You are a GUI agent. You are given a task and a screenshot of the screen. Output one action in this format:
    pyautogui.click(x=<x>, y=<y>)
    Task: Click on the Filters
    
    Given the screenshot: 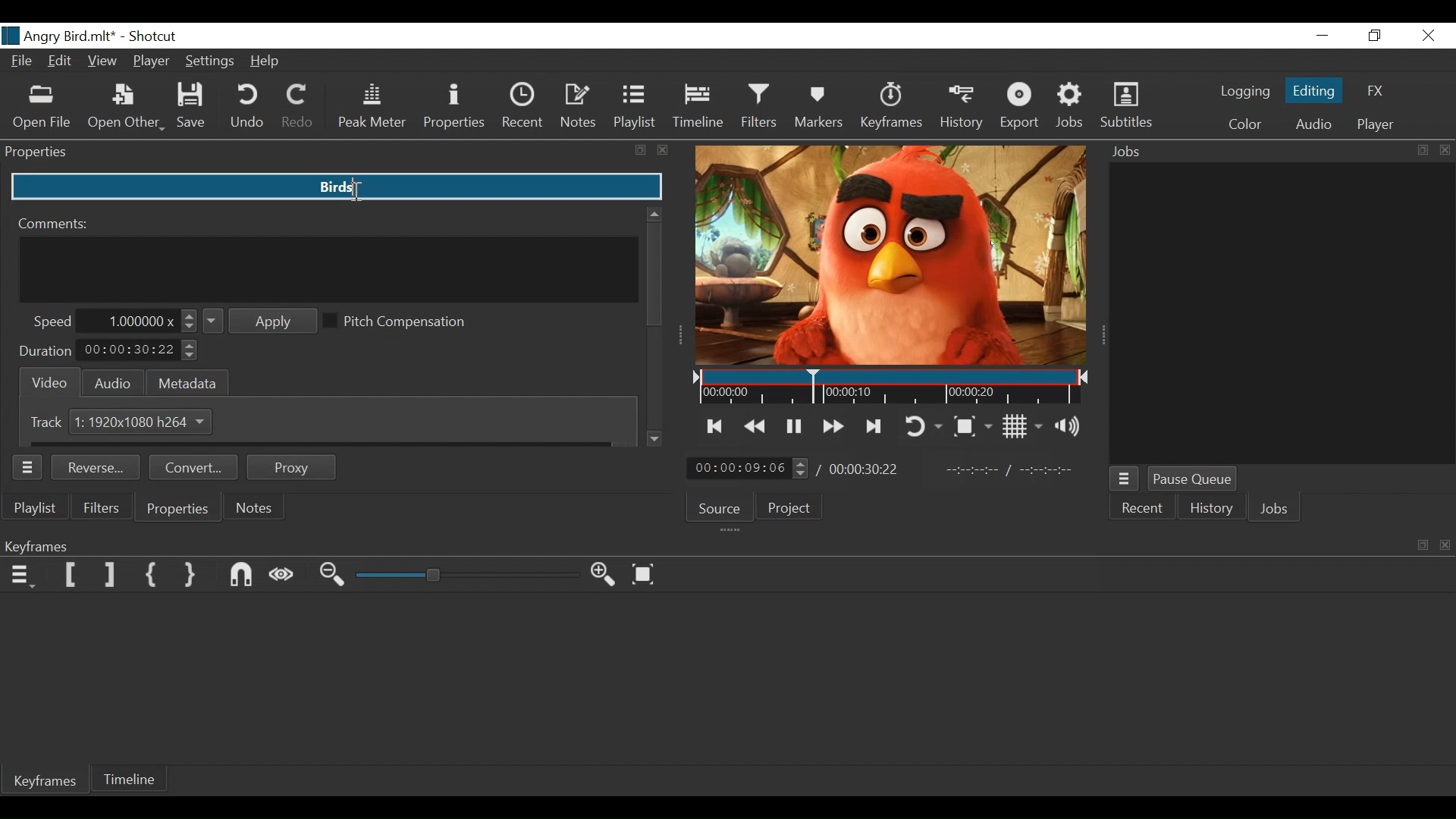 What is the action you would take?
    pyautogui.click(x=761, y=108)
    